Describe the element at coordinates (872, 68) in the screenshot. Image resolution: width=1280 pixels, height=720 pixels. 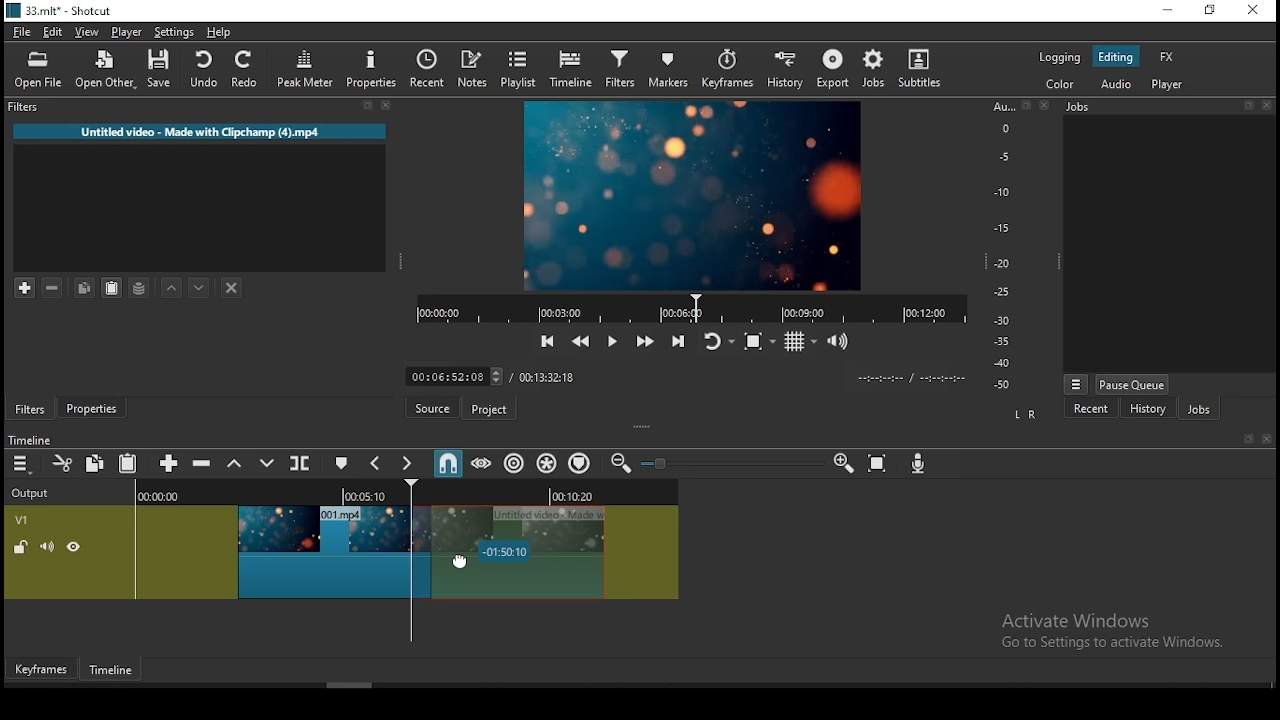
I see `jobs` at that location.